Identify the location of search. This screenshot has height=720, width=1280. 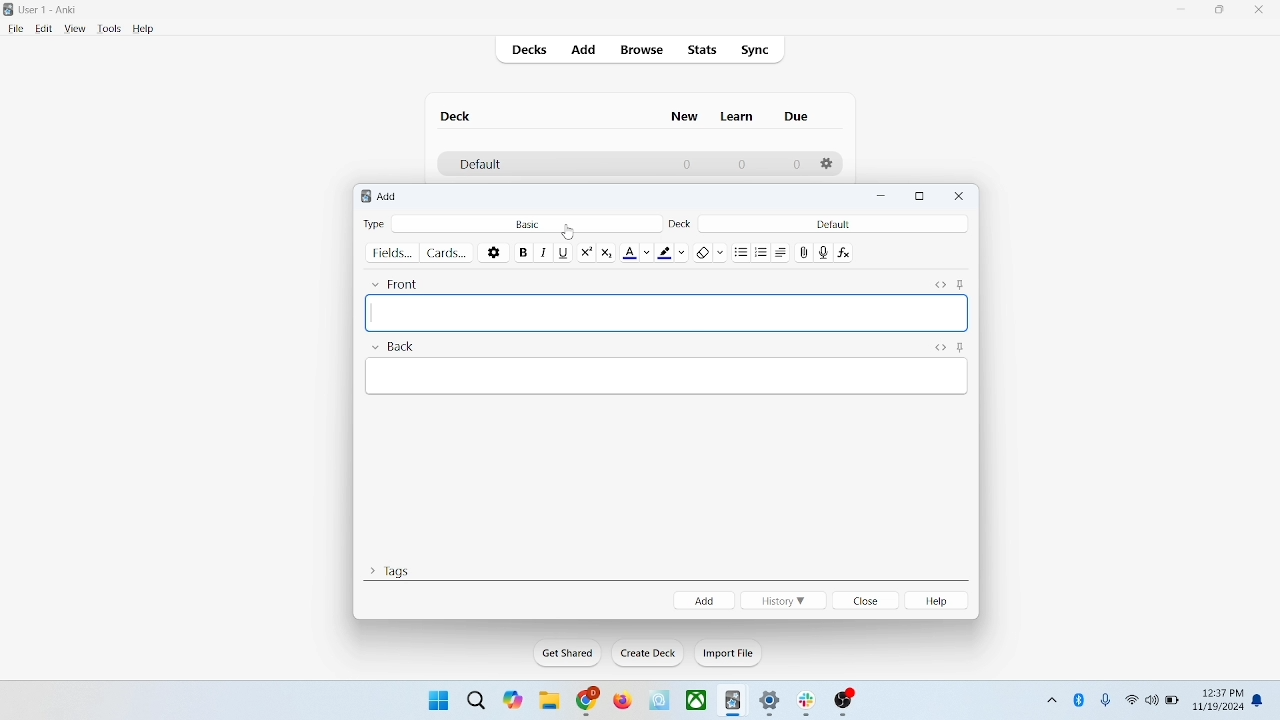
(477, 699).